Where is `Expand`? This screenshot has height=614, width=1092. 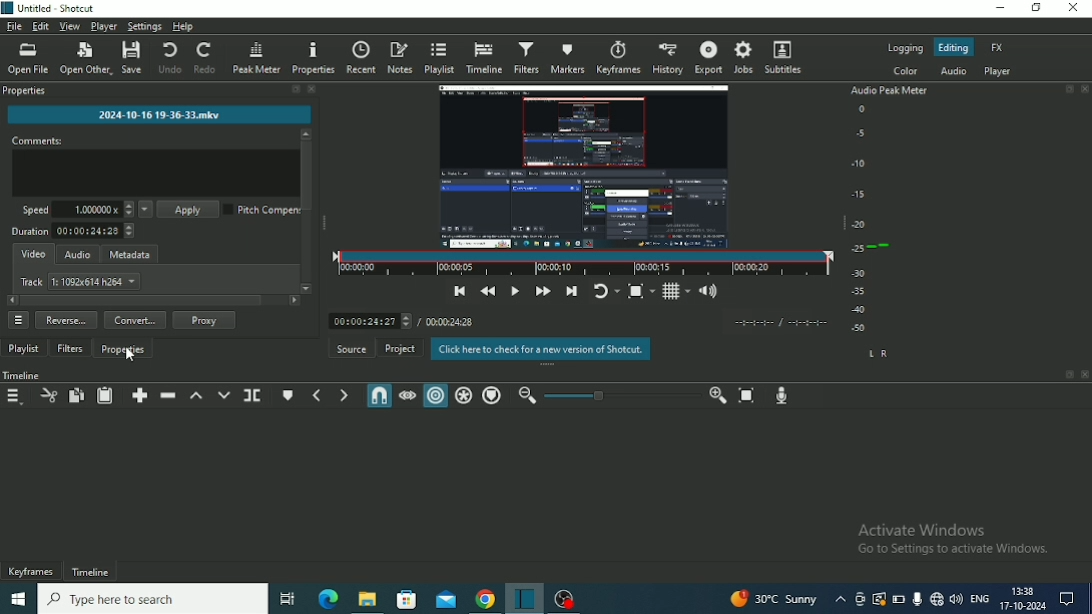 Expand is located at coordinates (1069, 88).